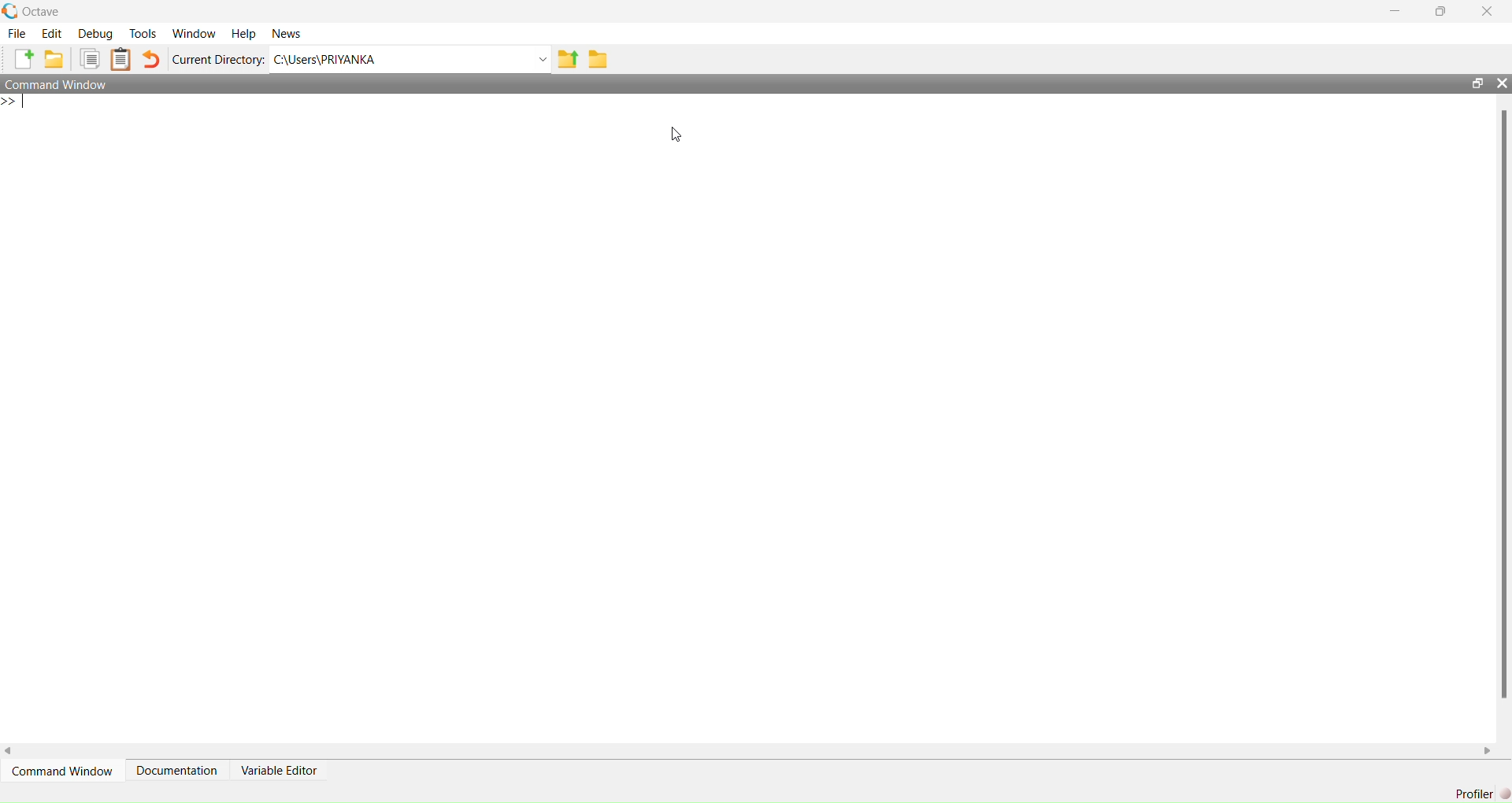 This screenshot has width=1512, height=803. I want to click on minimise, so click(1396, 11).